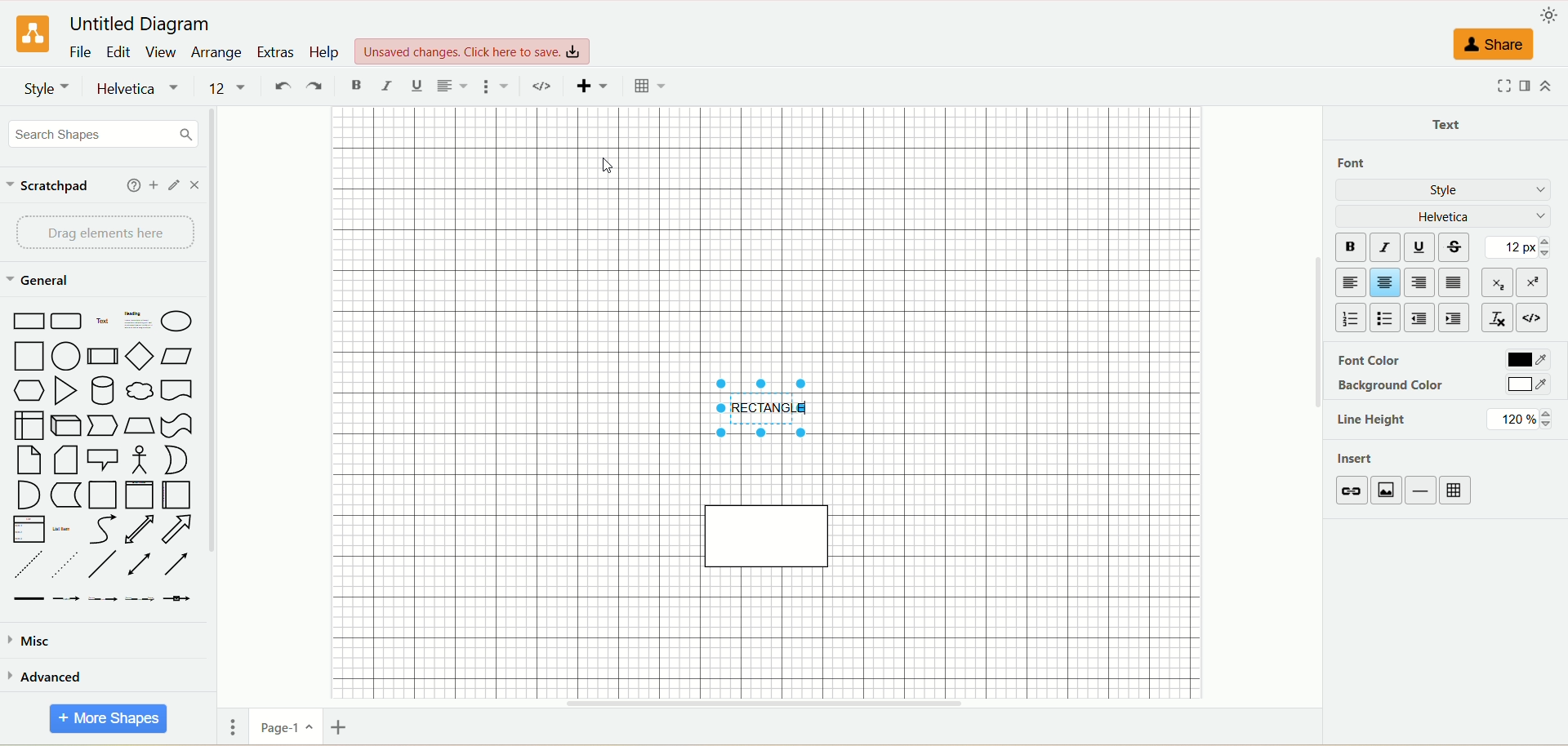  Describe the element at coordinates (1388, 248) in the screenshot. I see `italics` at that location.